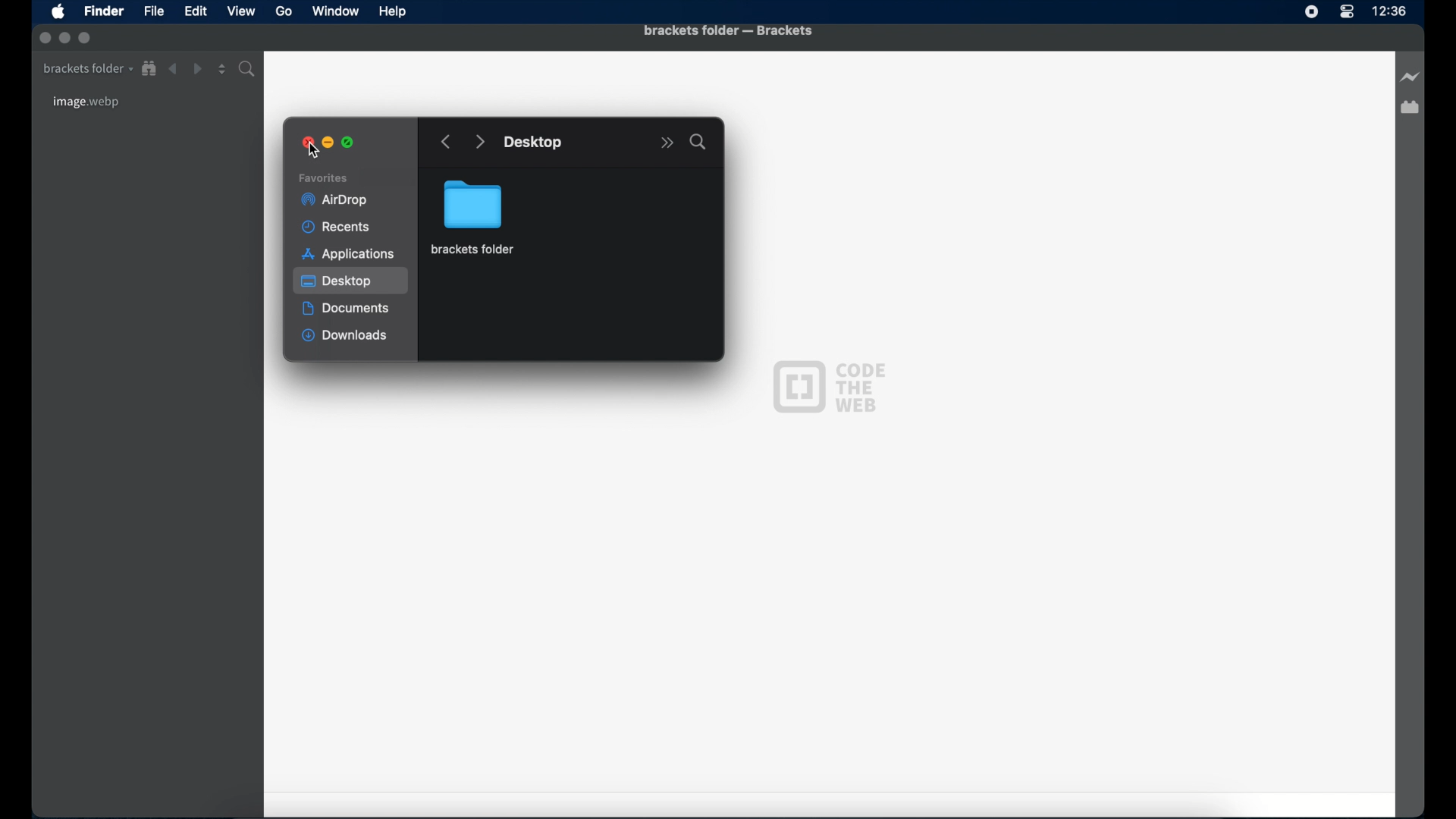  I want to click on downloads, so click(345, 337).